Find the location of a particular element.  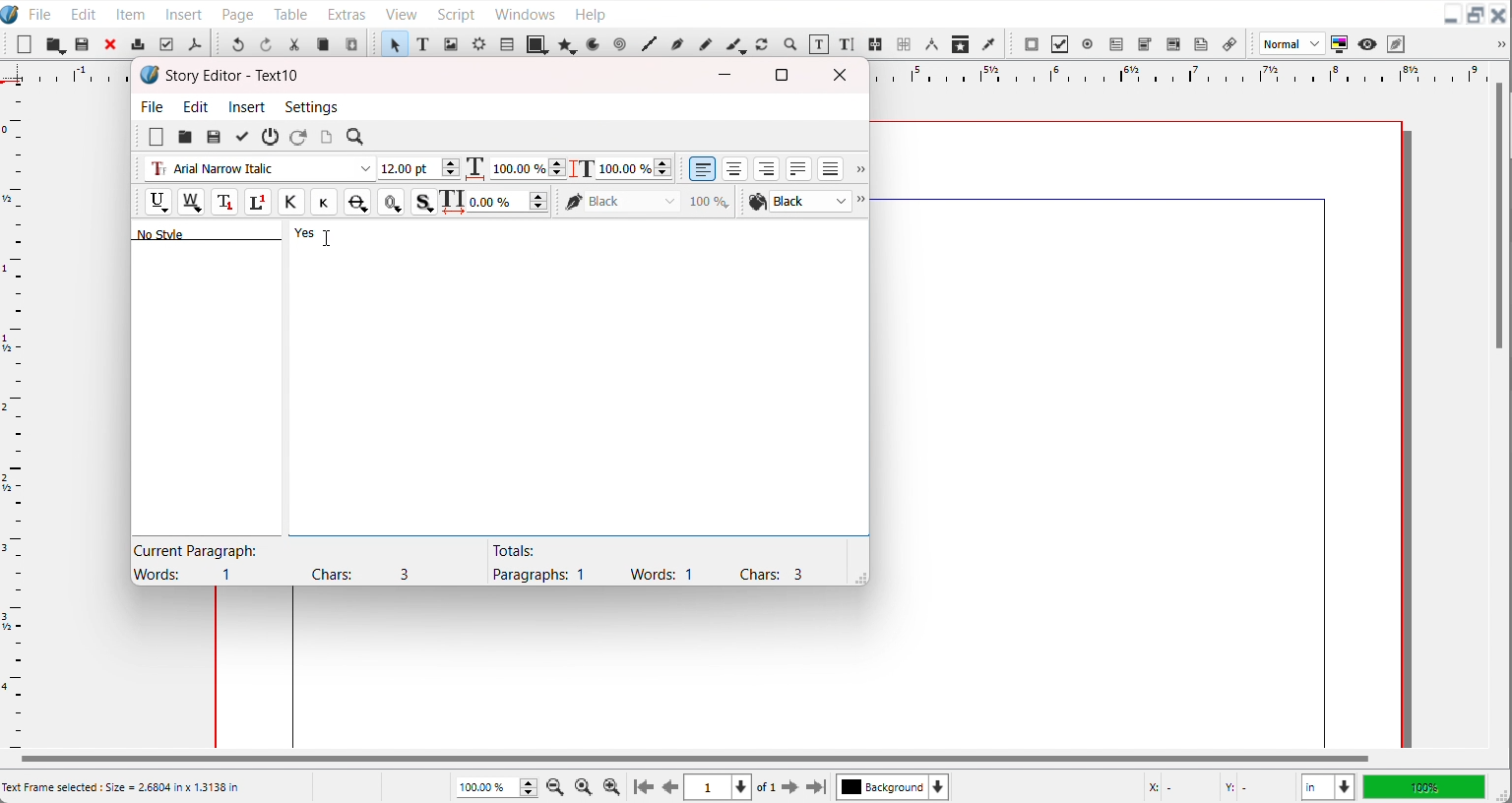

Calligraphic line is located at coordinates (735, 45).